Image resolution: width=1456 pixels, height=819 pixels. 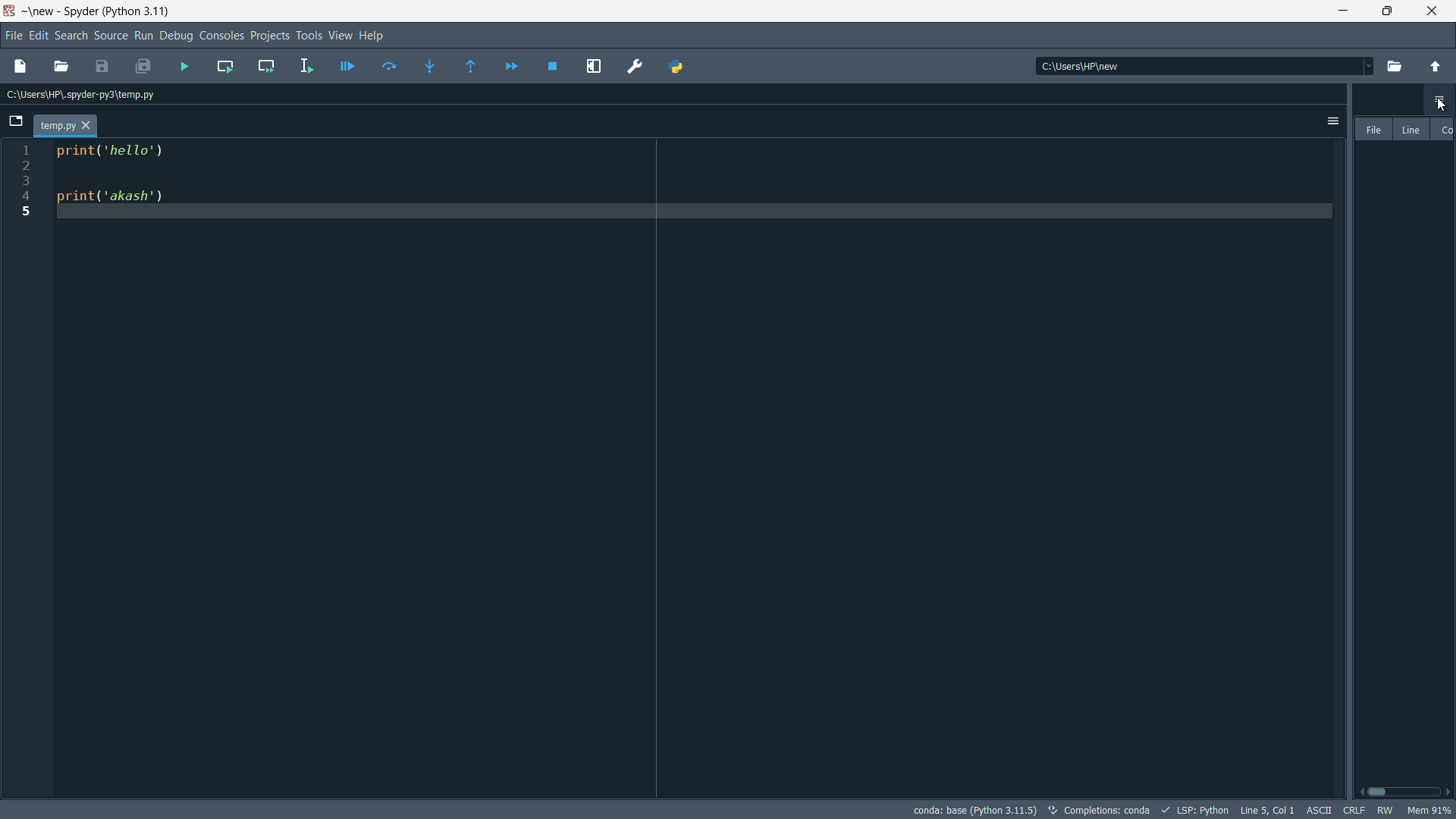 I want to click on scroll bar, so click(x=1407, y=789).